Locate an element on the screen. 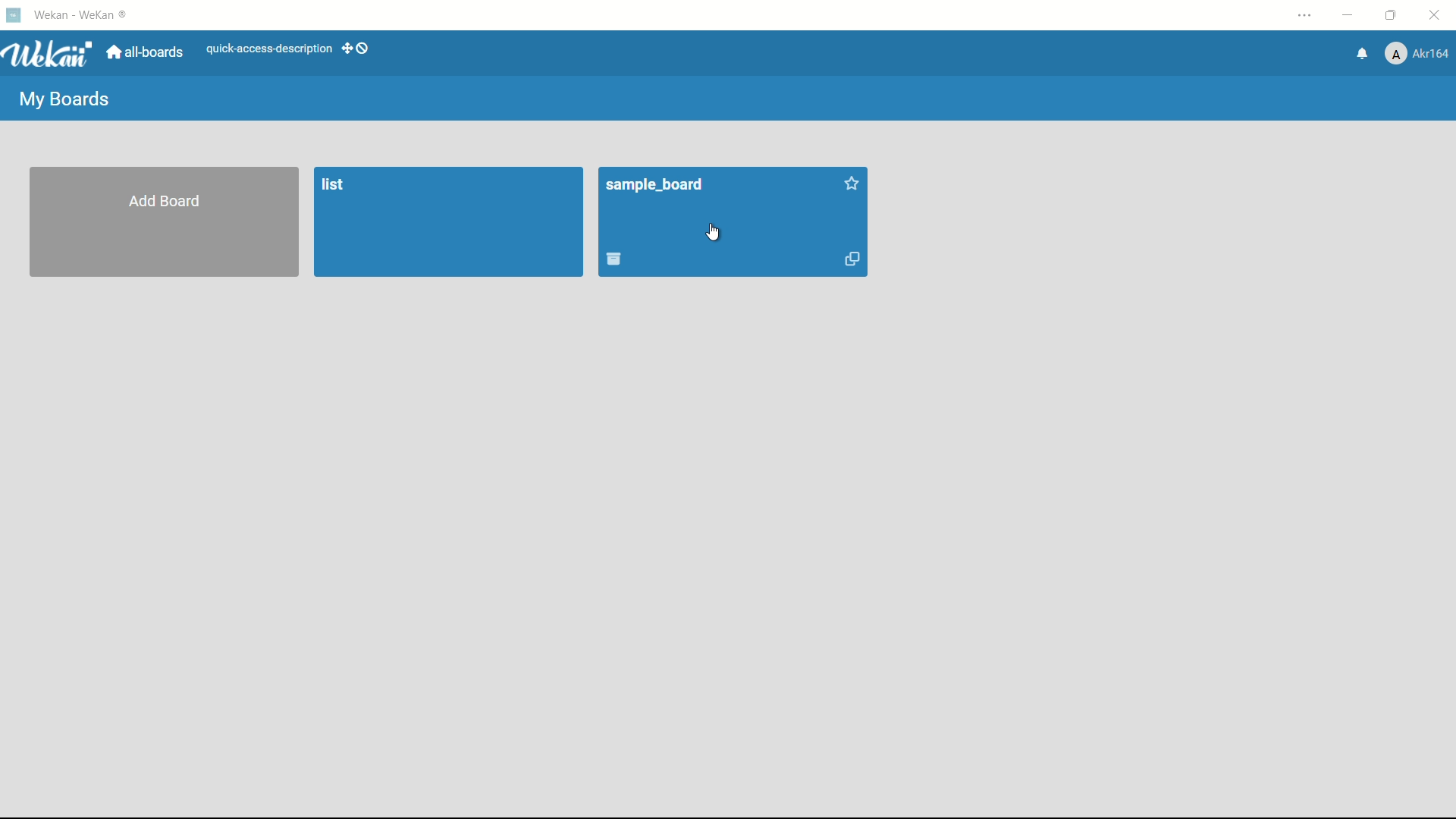 The image size is (1456, 819). show-desktop-drag-handles is located at coordinates (358, 47).